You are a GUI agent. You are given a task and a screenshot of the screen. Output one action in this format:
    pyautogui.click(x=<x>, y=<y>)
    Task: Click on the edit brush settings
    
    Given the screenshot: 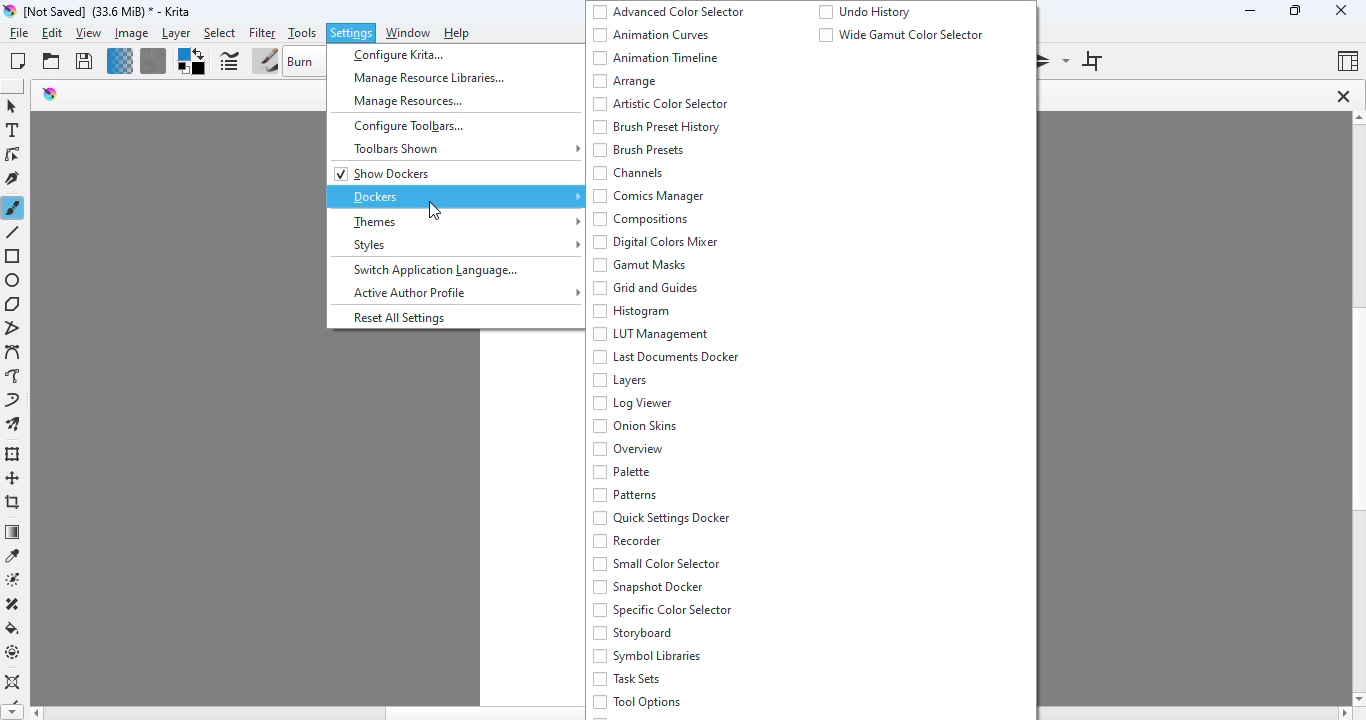 What is the action you would take?
    pyautogui.click(x=229, y=62)
    